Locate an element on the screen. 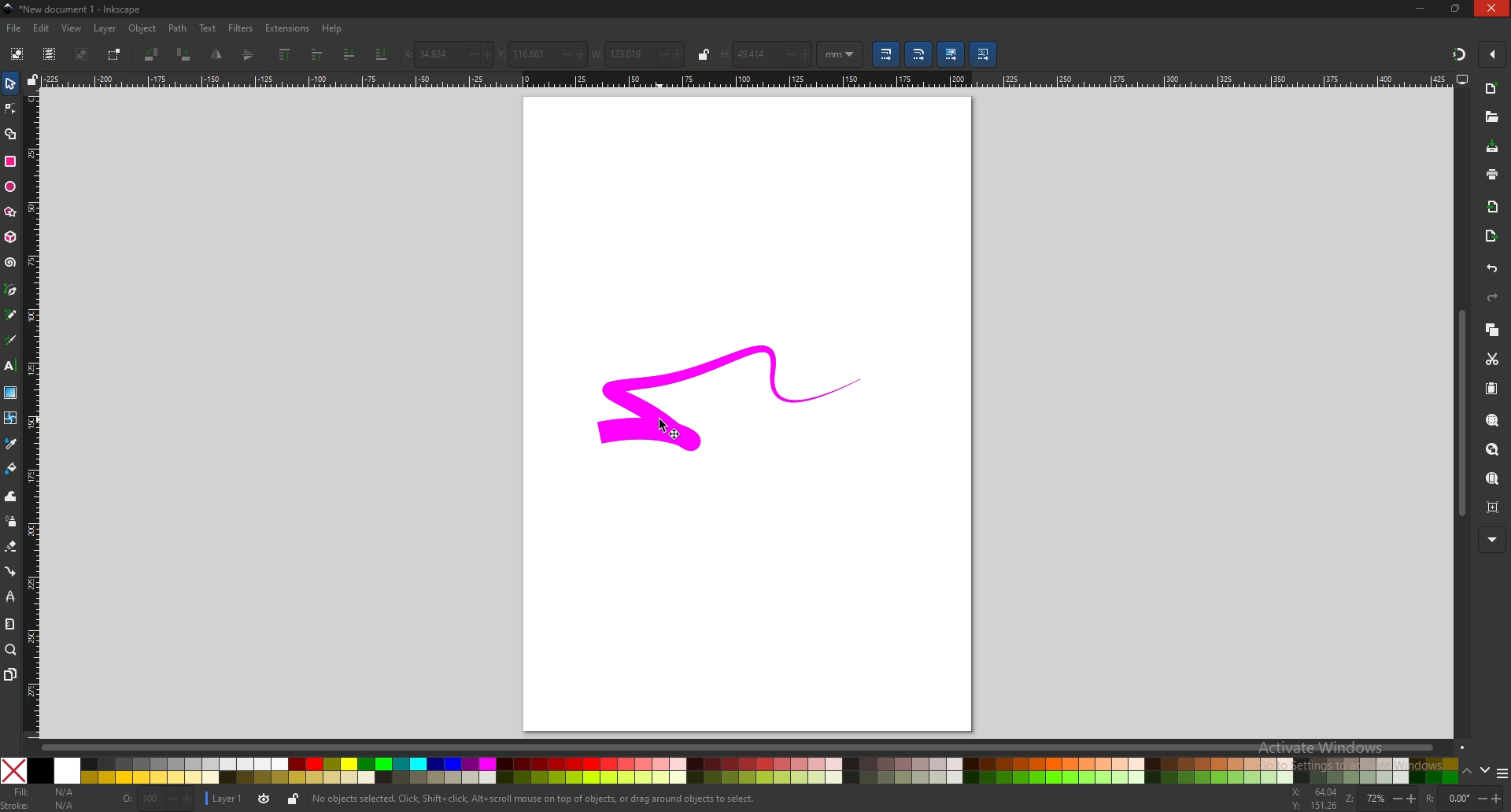  stars and polygons is located at coordinates (10, 212).